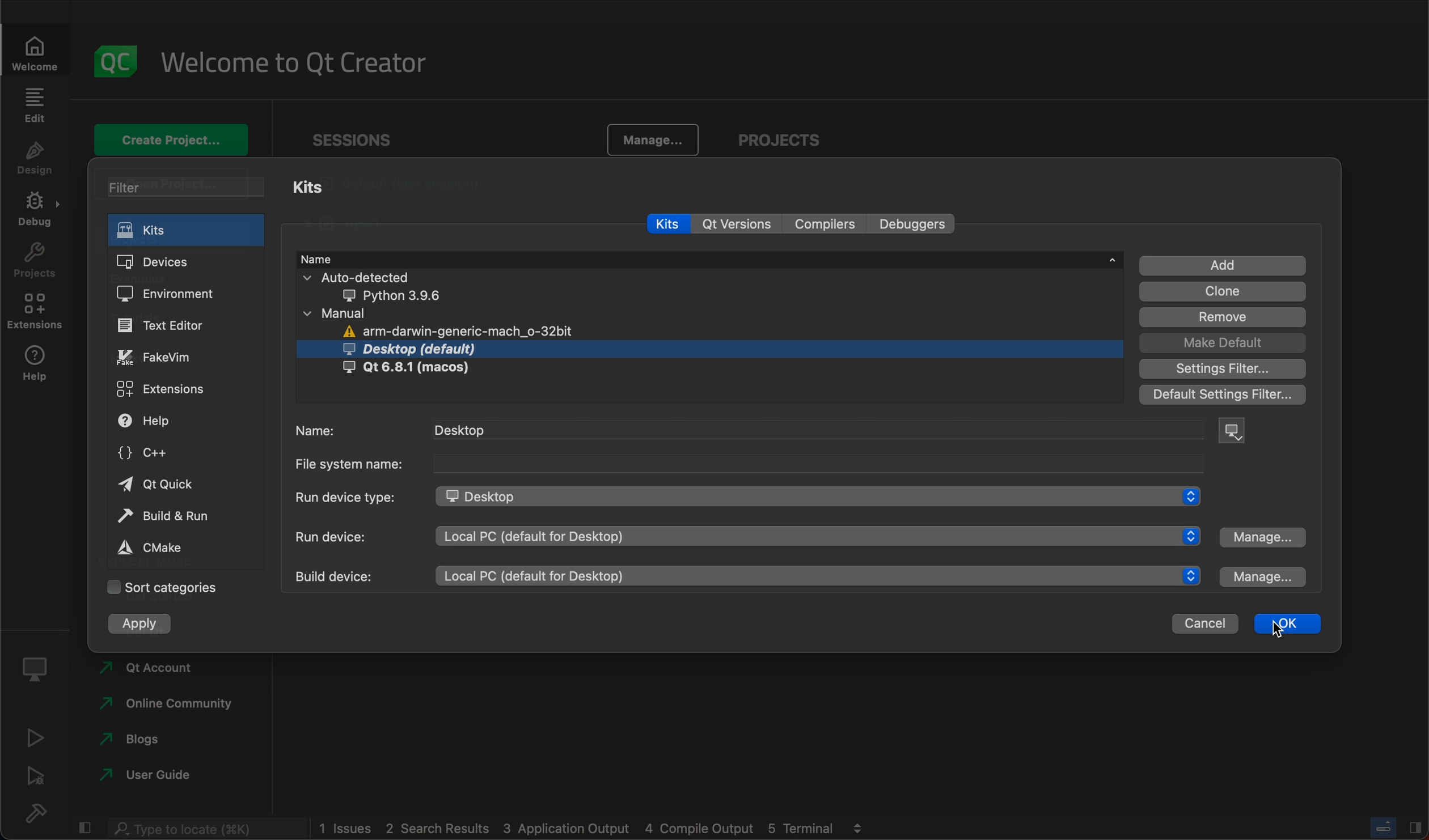  I want to click on view output, so click(859, 825).